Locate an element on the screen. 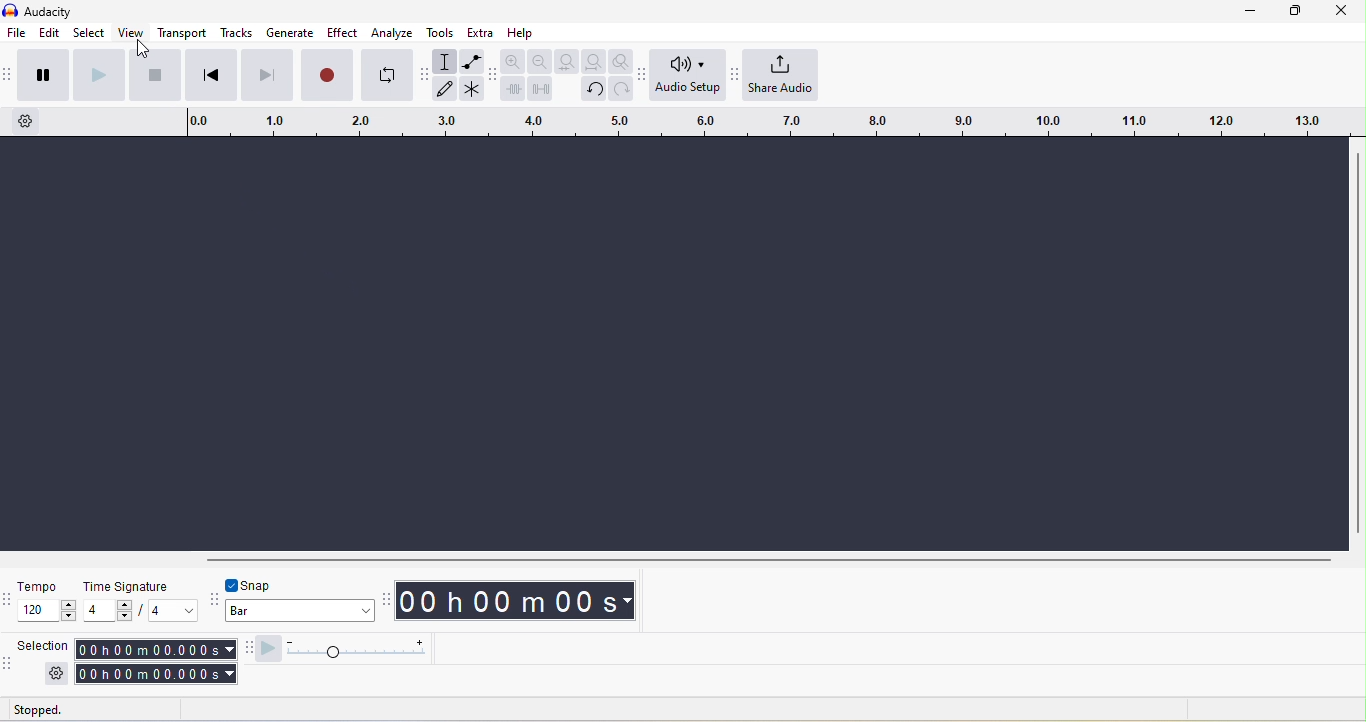  set tempo is located at coordinates (46, 610).